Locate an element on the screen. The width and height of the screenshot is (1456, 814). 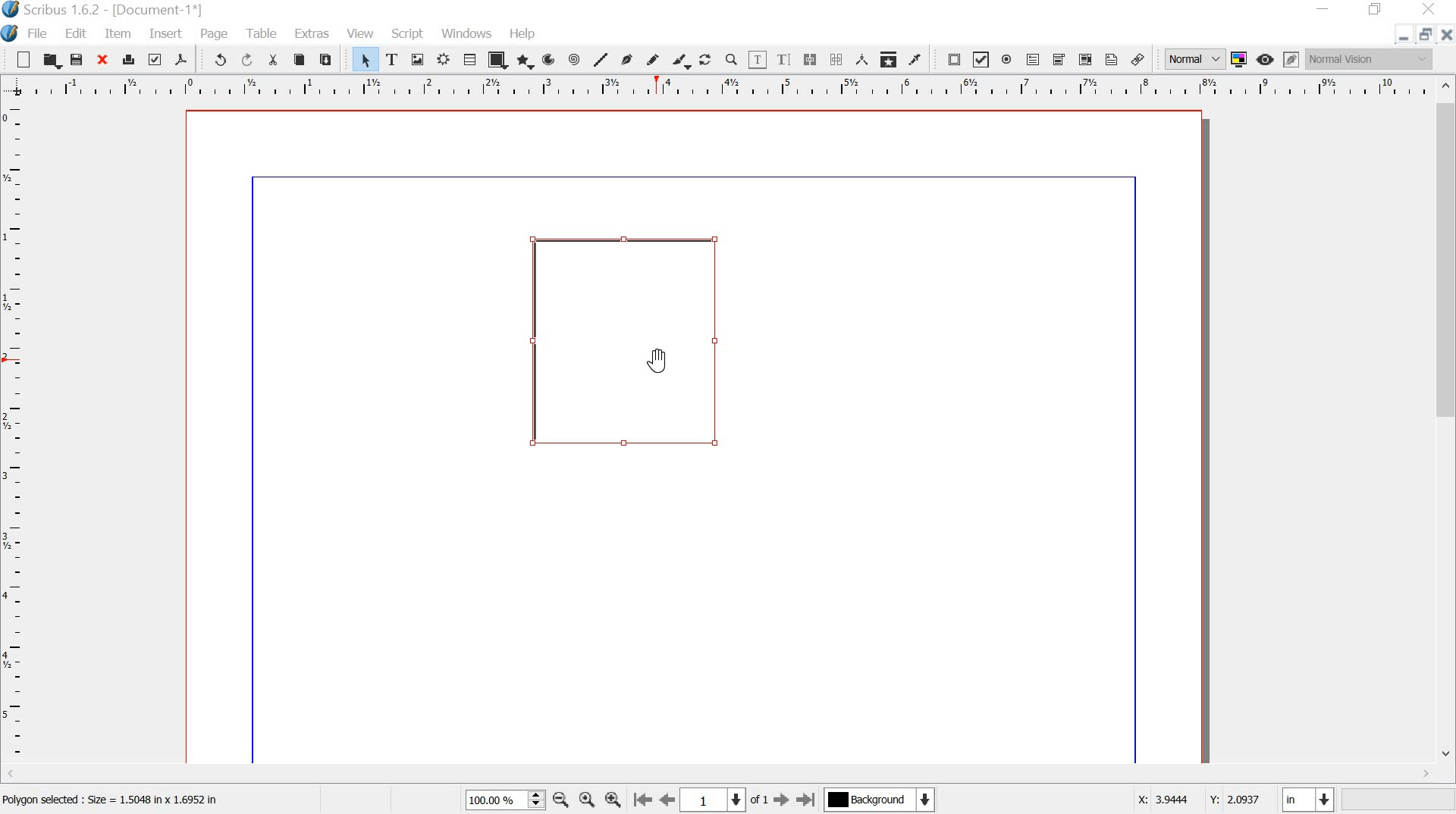
scrollbar is located at coordinates (720, 775).